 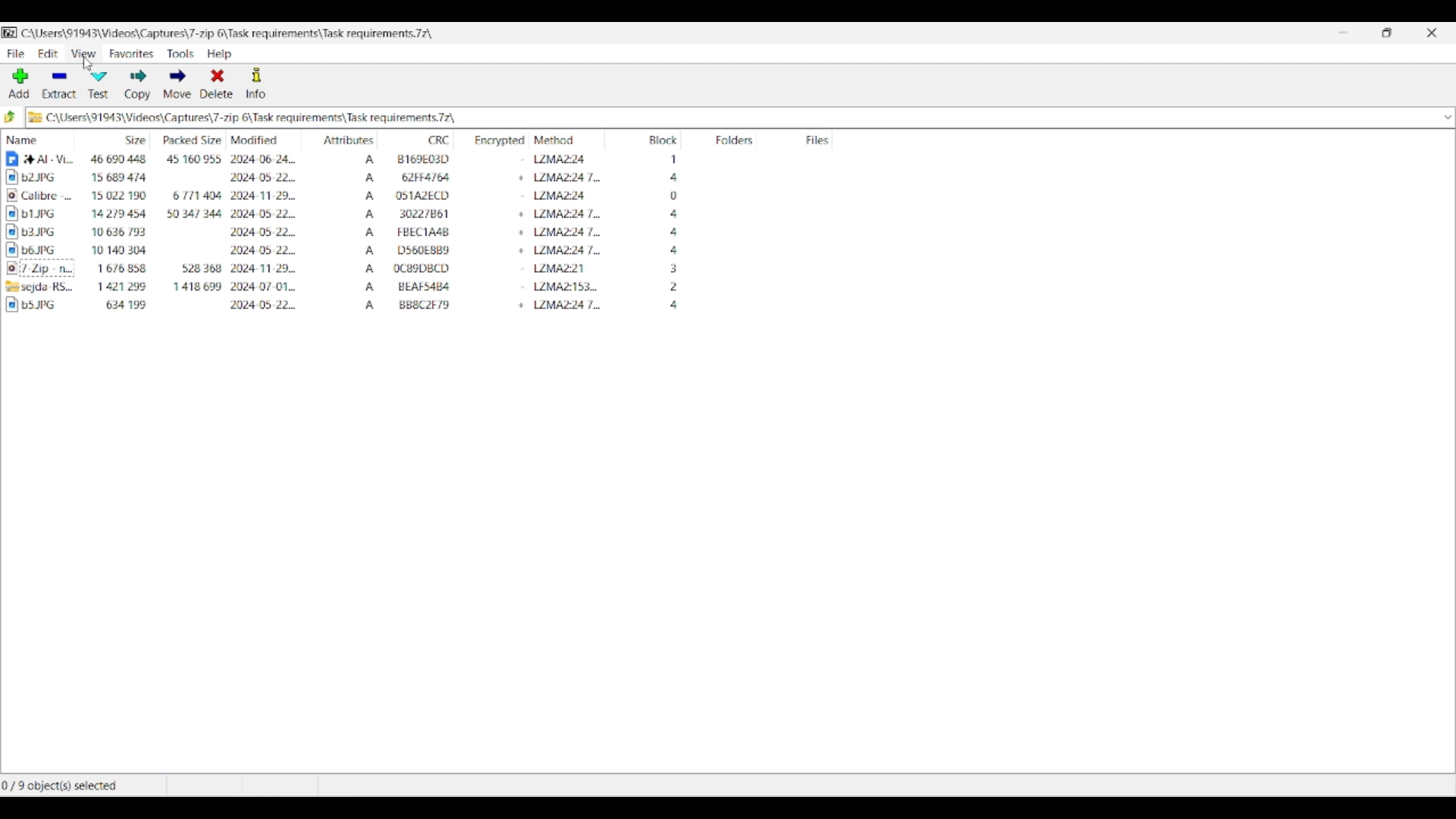 I want to click on Block column, so click(x=651, y=139).